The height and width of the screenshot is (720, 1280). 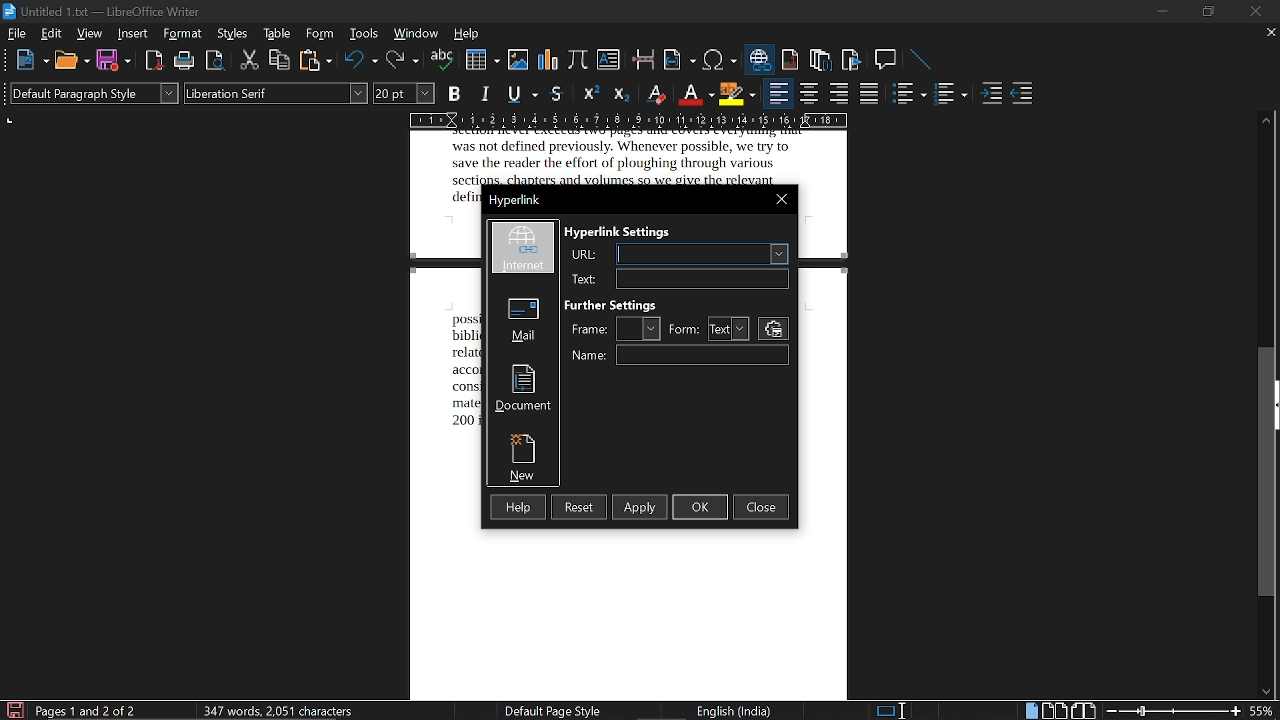 What do you see at coordinates (839, 95) in the screenshot?
I see `align right` at bounding box center [839, 95].